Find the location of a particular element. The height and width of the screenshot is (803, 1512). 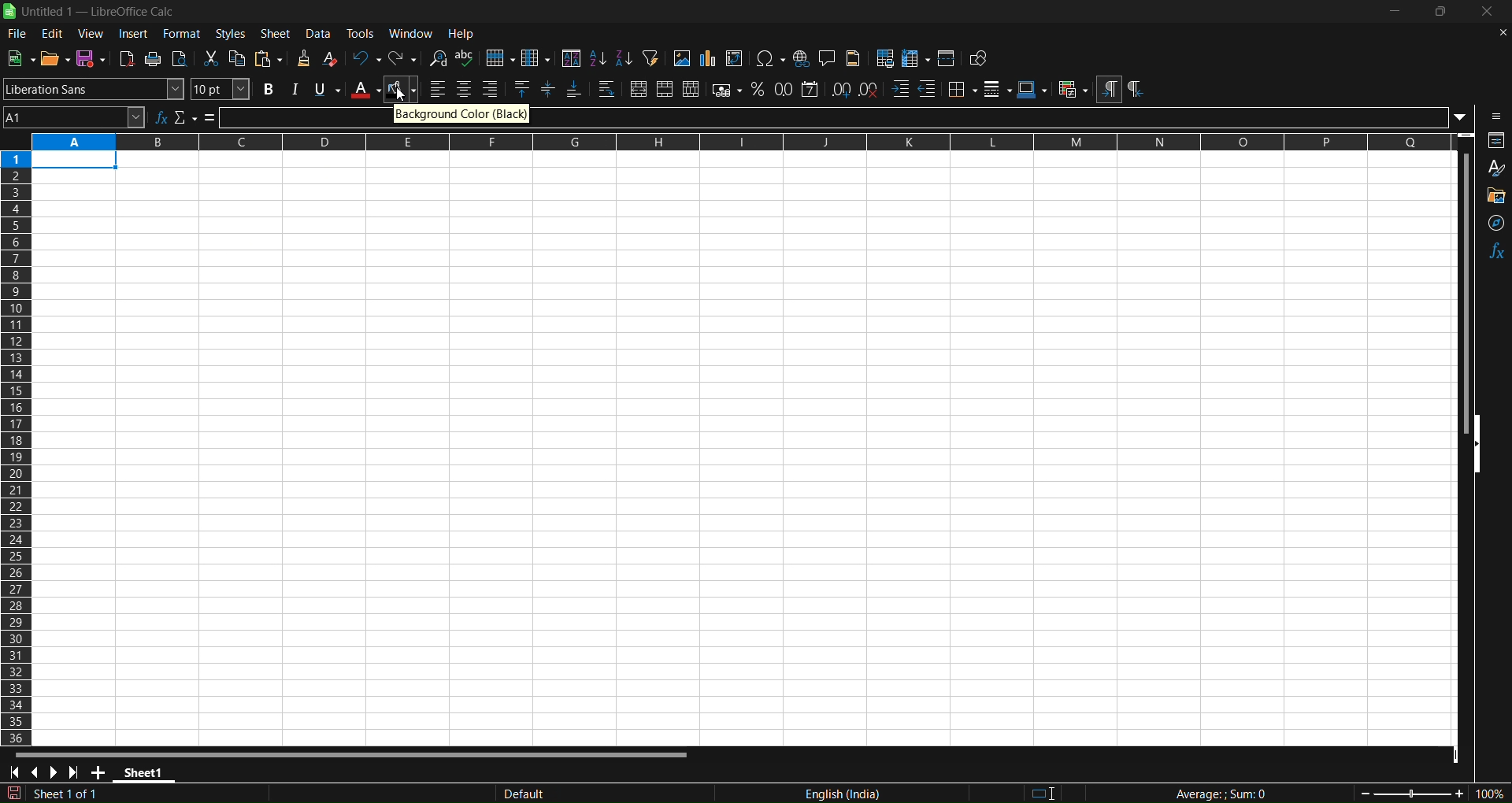

insert special characters is located at coordinates (769, 58).